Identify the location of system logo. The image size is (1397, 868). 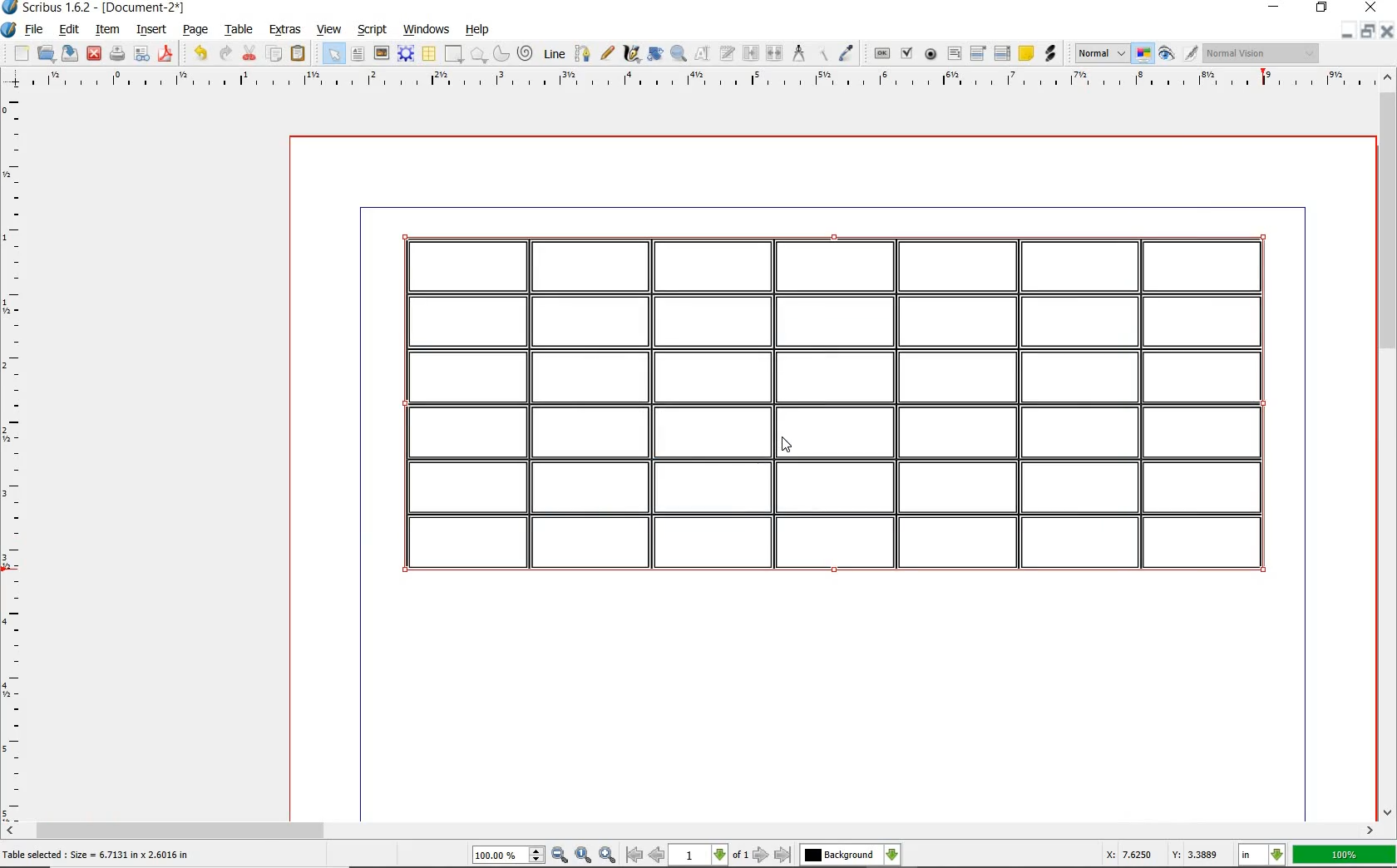
(11, 28).